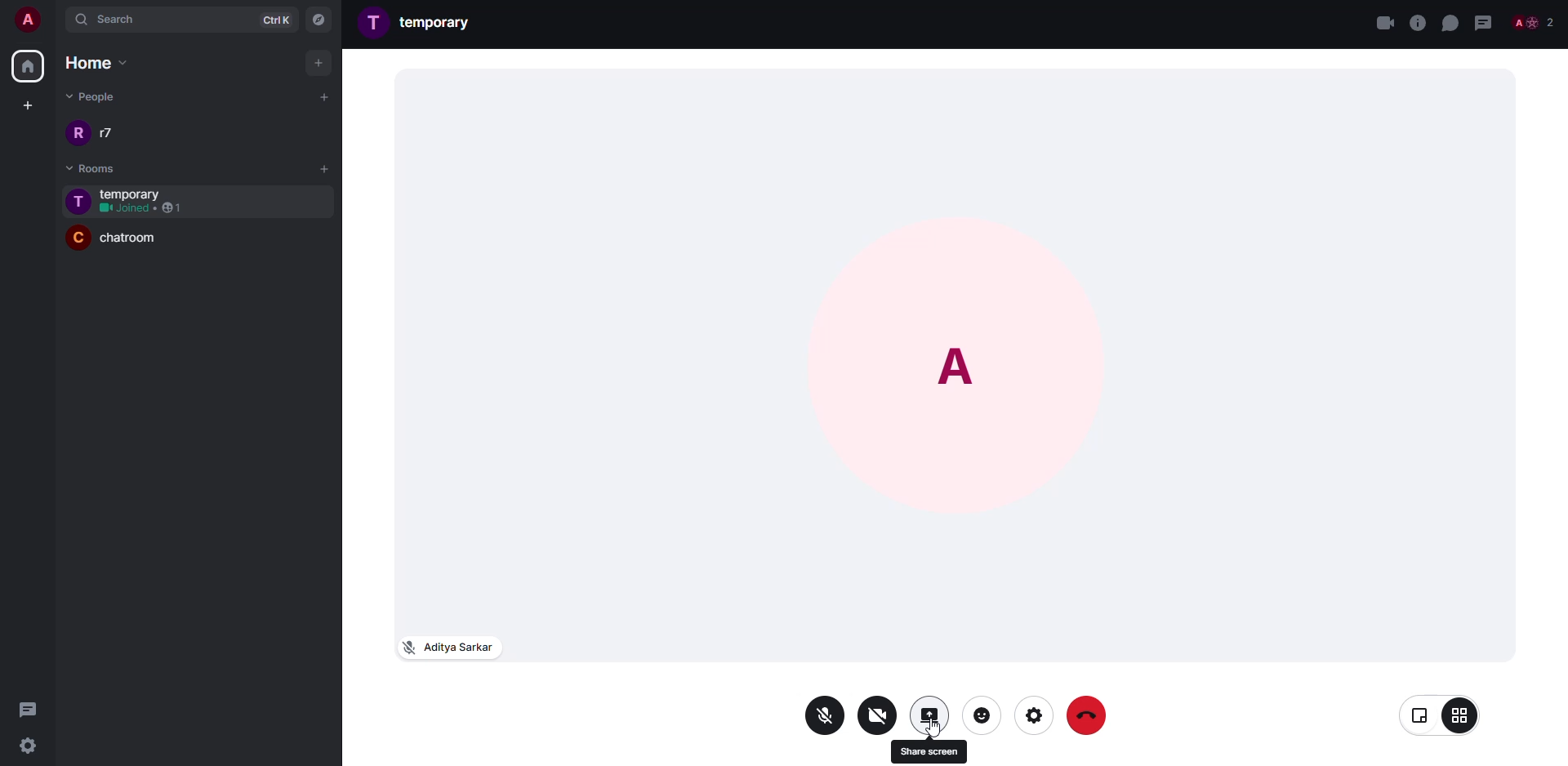  What do you see at coordinates (938, 732) in the screenshot?
I see `cursor` at bounding box center [938, 732].